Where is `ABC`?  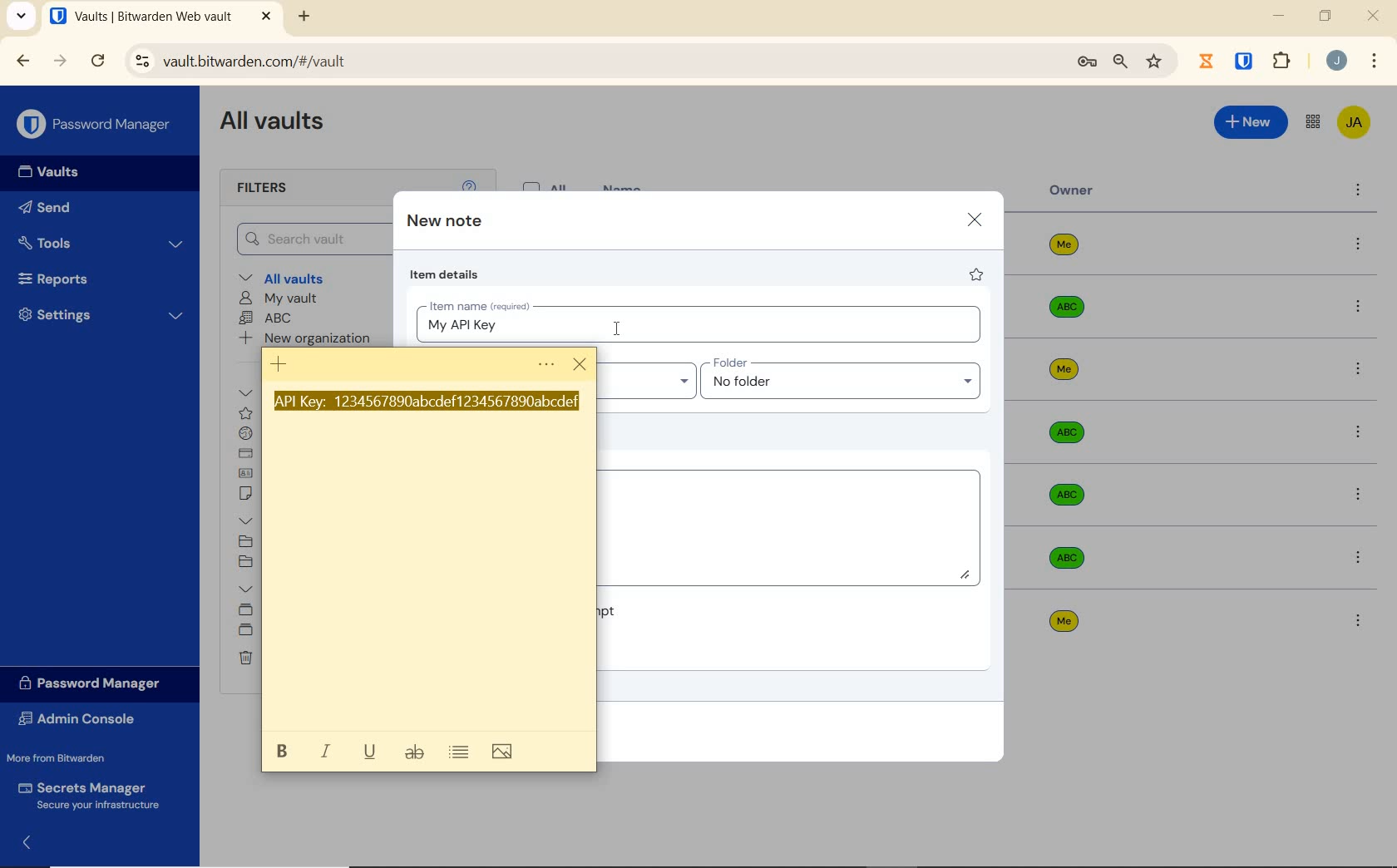
ABC is located at coordinates (269, 319).